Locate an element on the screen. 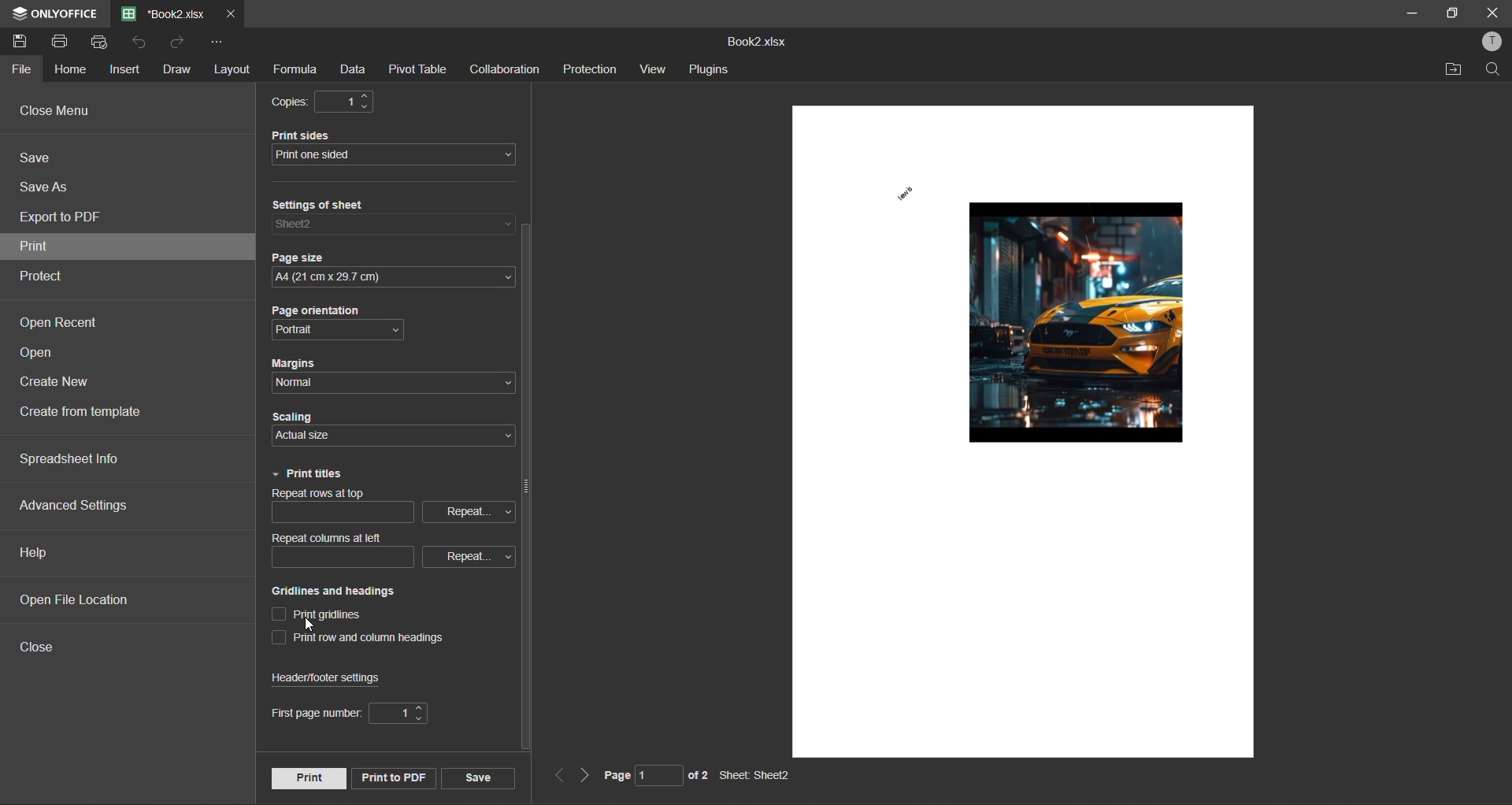 This screenshot has width=1512, height=805. print is located at coordinates (311, 777).